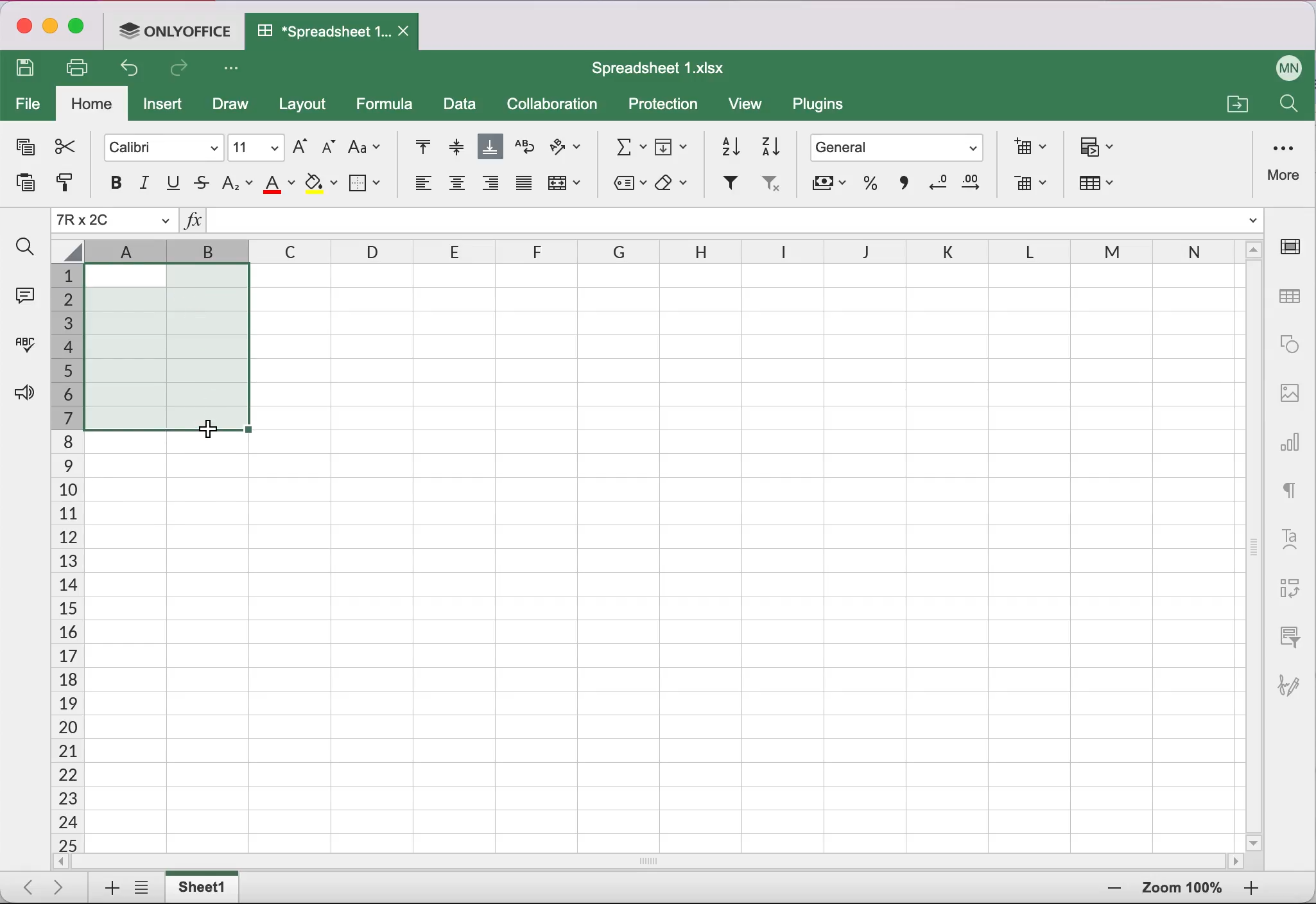  Describe the element at coordinates (1286, 161) in the screenshot. I see `more` at that location.